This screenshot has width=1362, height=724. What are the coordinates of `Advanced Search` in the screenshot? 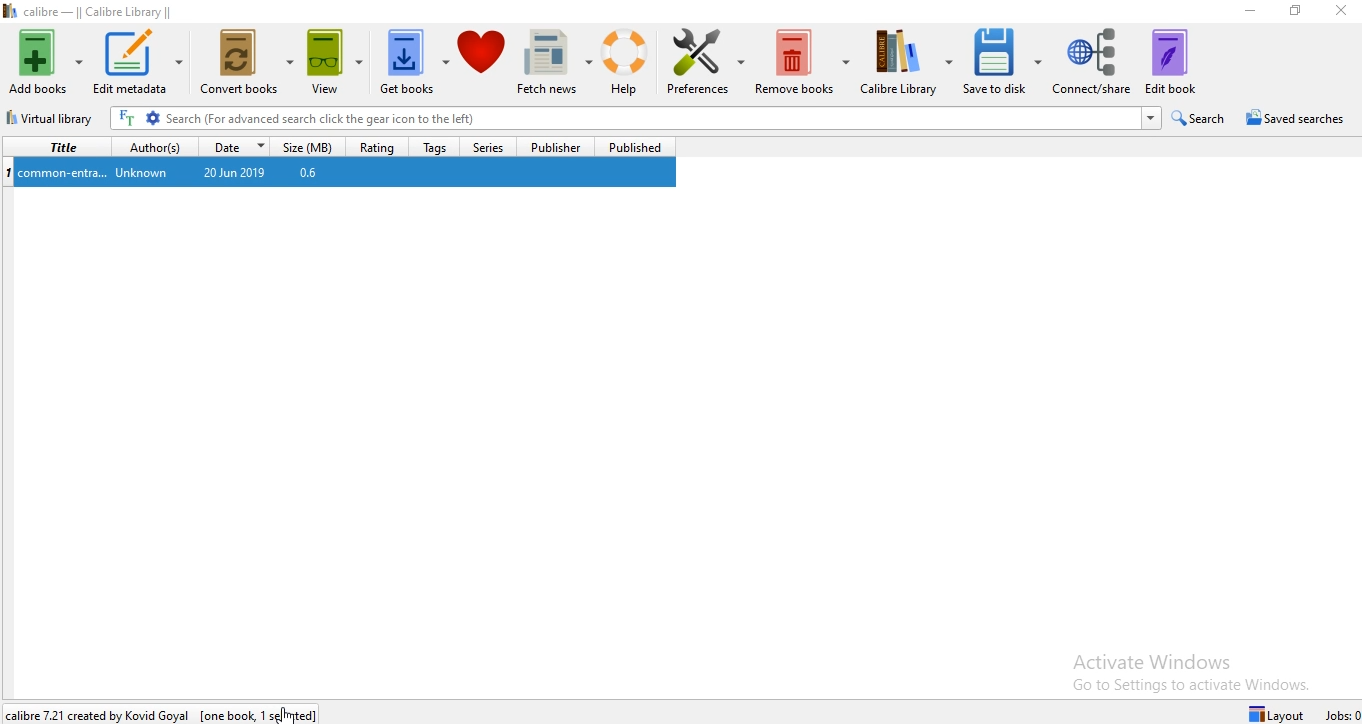 It's located at (152, 119).